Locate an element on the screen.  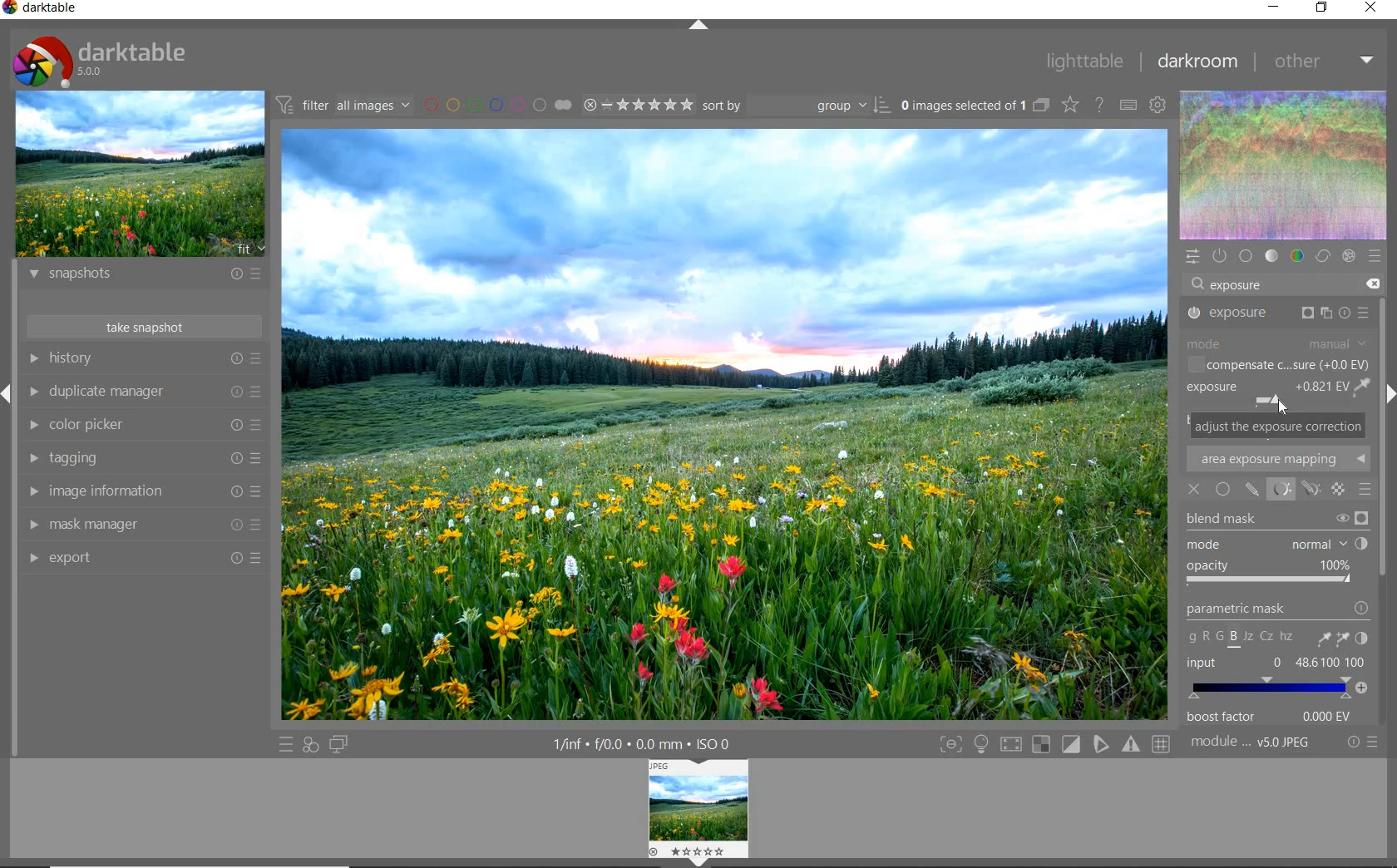
other is located at coordinates (1325, 63).